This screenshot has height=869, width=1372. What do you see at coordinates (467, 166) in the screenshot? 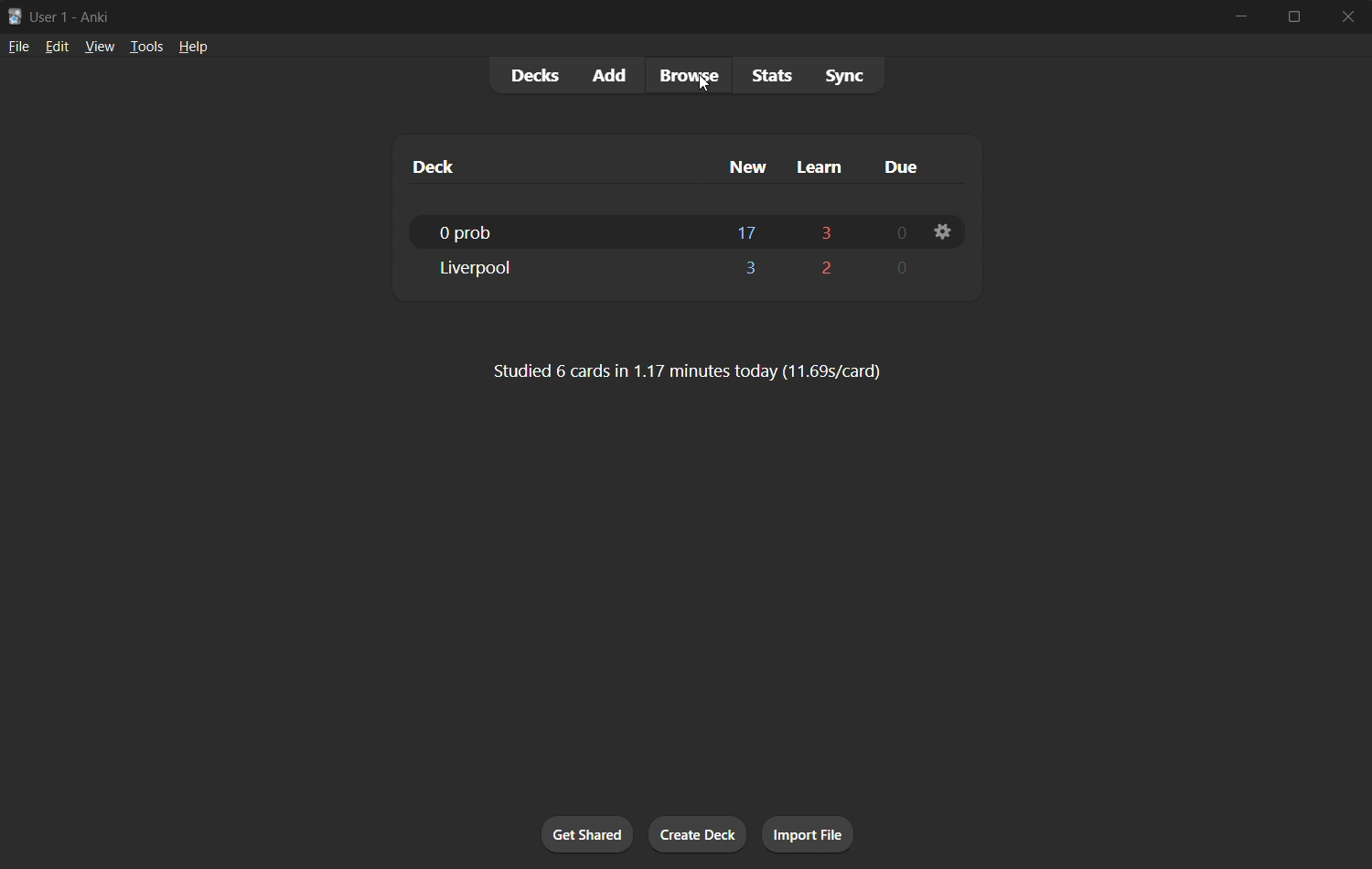
I see `deck name column` at bounding box center [467, 166].